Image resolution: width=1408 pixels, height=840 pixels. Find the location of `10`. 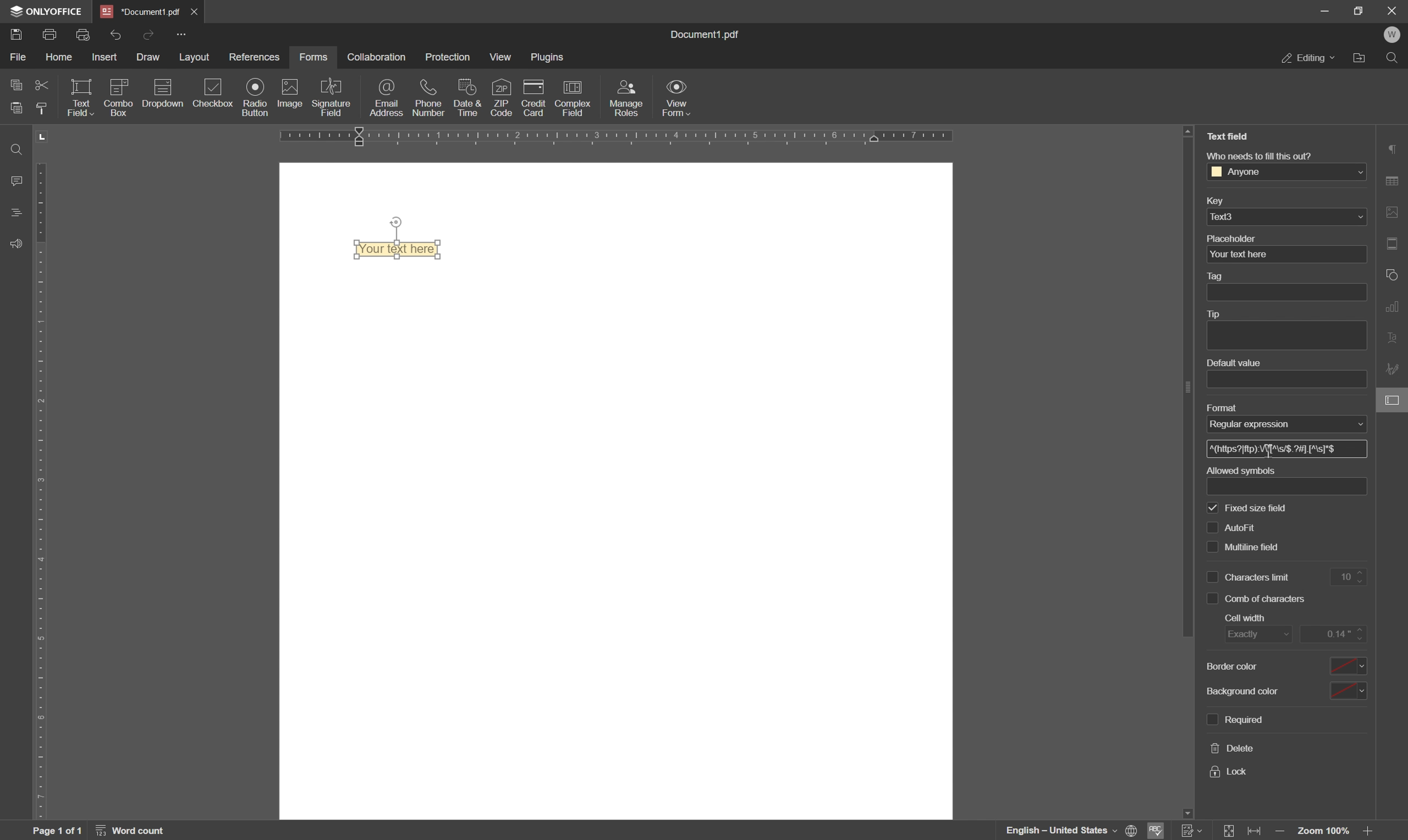

10 is located at coordinates (1352, 577).